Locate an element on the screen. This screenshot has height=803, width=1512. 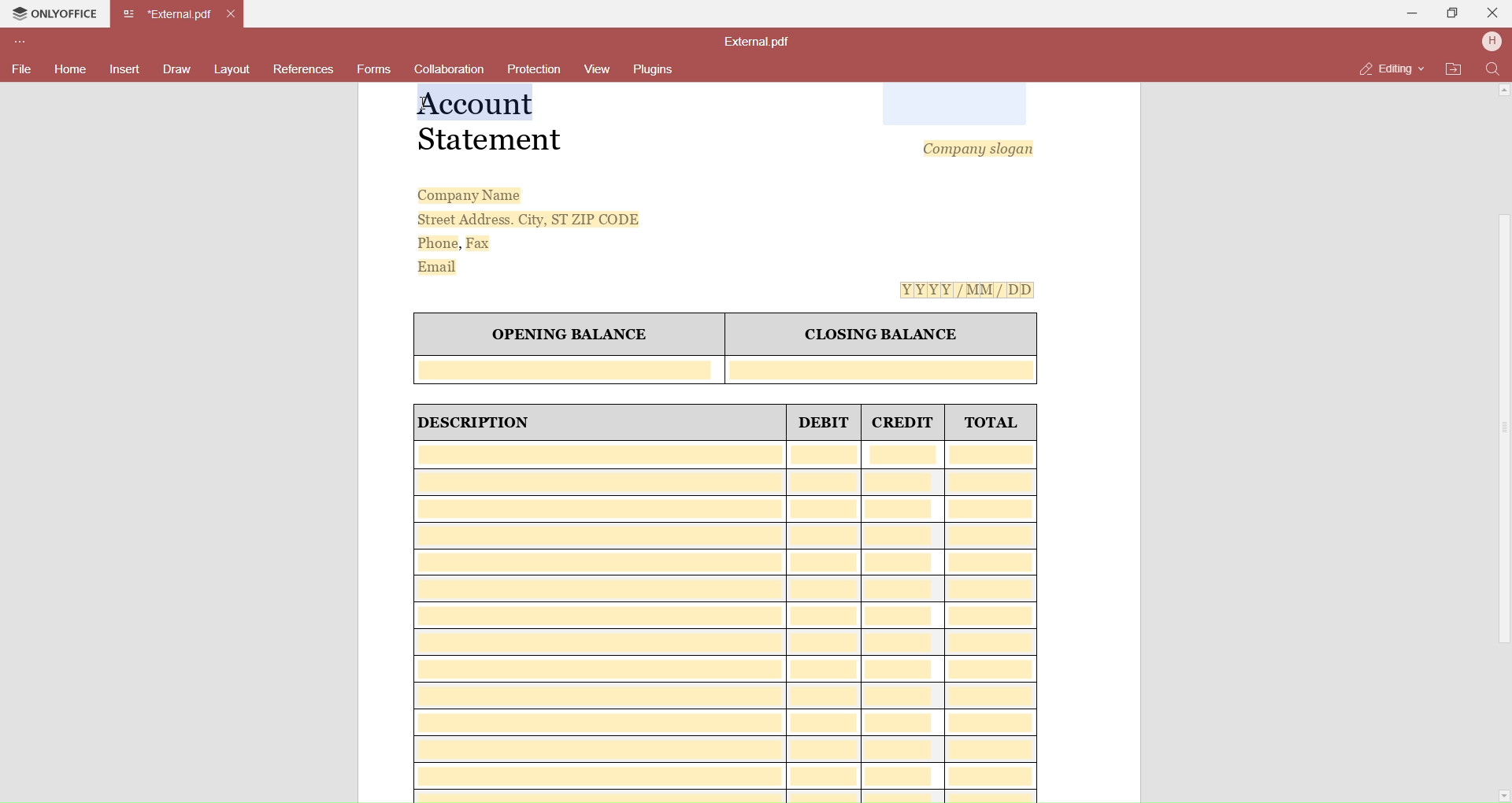
Editing is located at coordinates (1390, 69).